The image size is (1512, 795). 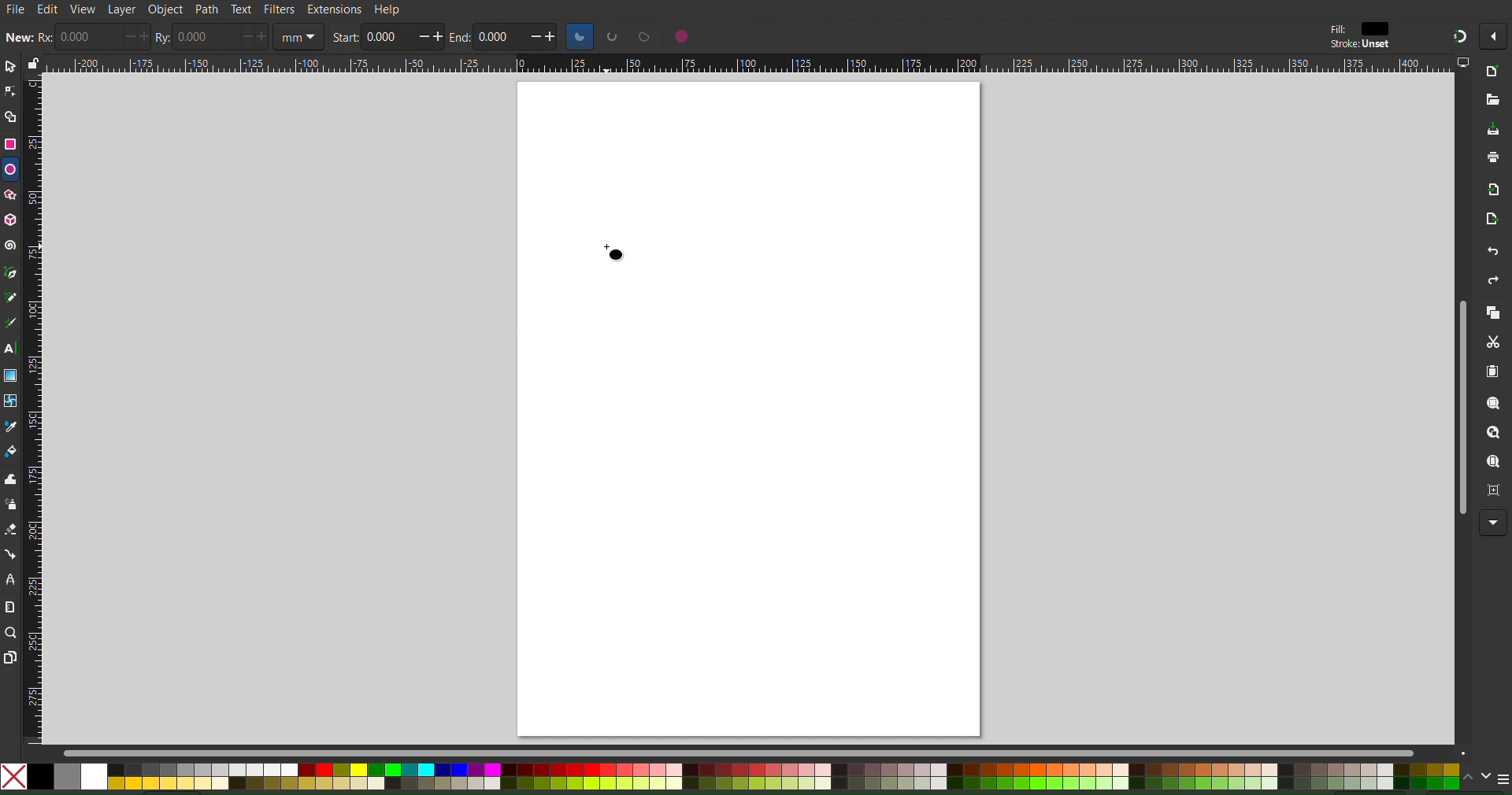 What do you see at coordinates (9, 272) in the screenshot?
I see `Pen Tool` at bounding box center [9, 272].